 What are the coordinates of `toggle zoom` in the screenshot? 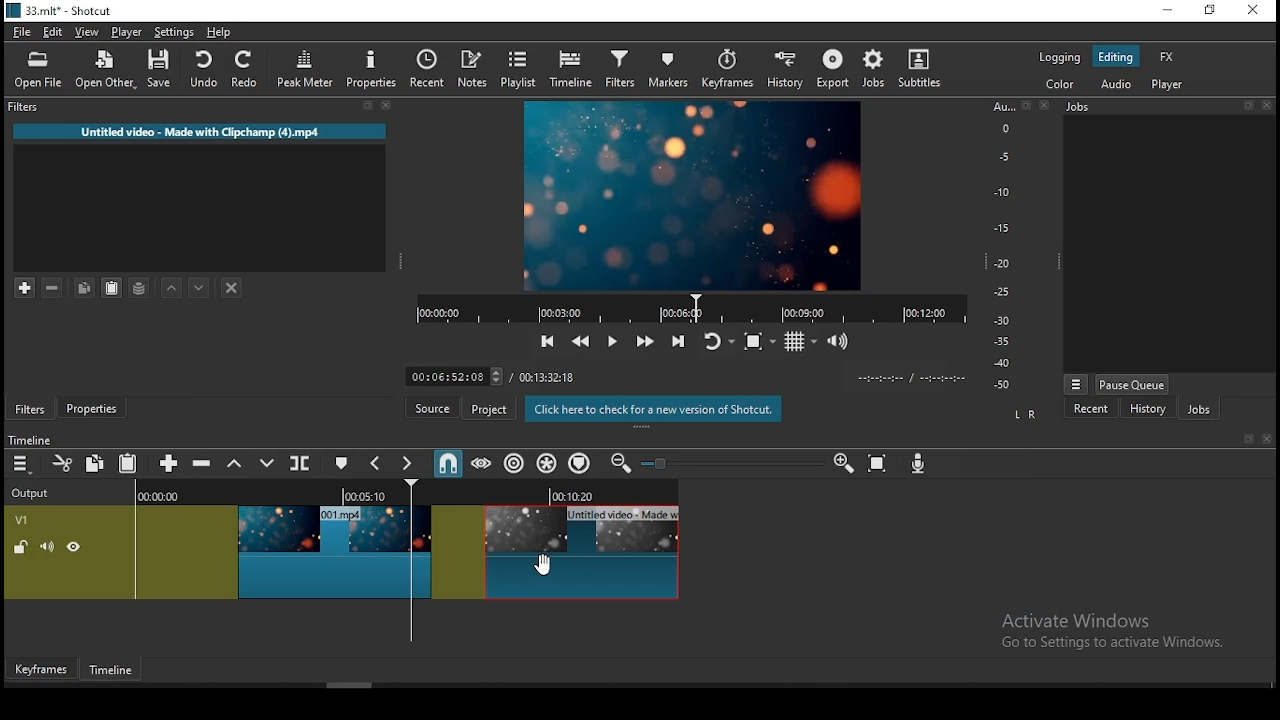 It's located at (759, 341).